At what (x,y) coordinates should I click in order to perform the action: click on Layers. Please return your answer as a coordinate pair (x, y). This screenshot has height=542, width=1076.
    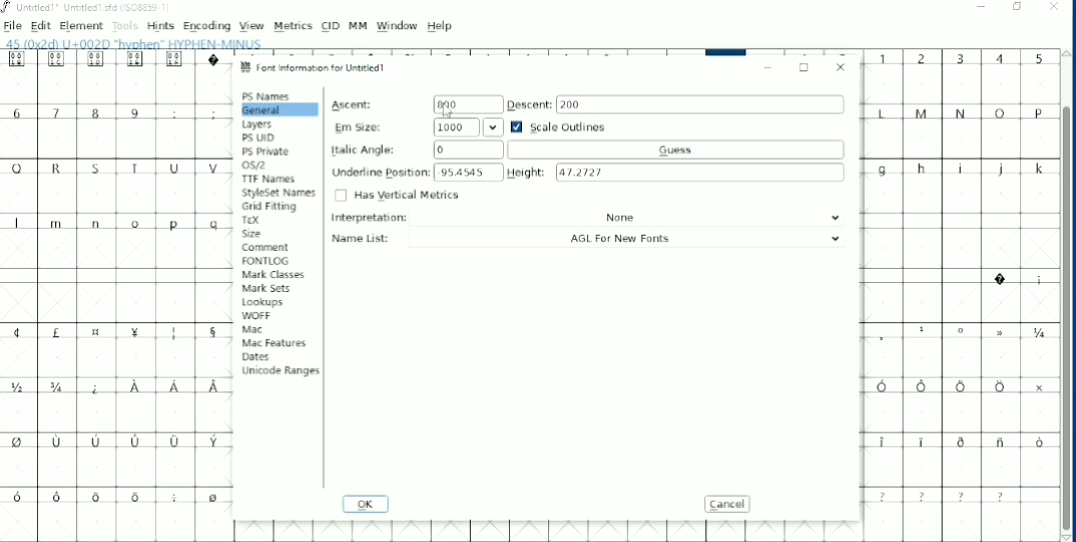
    Looking at the image, I should click on (259, 125).